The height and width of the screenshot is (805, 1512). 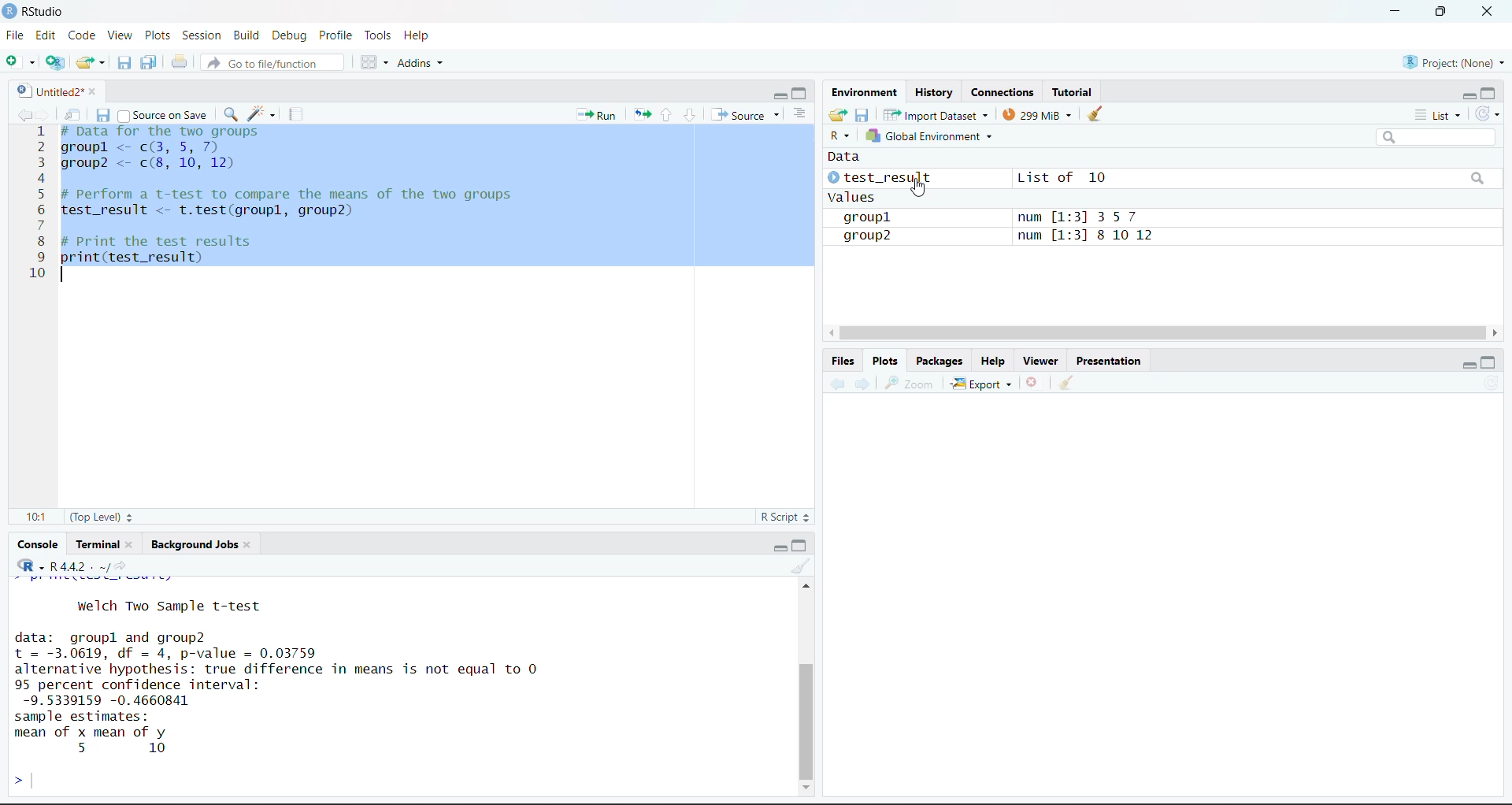 What do you see at coordinates (382, 35) in the screenshot?
I see `Tools` at bounding box center [382, 35].